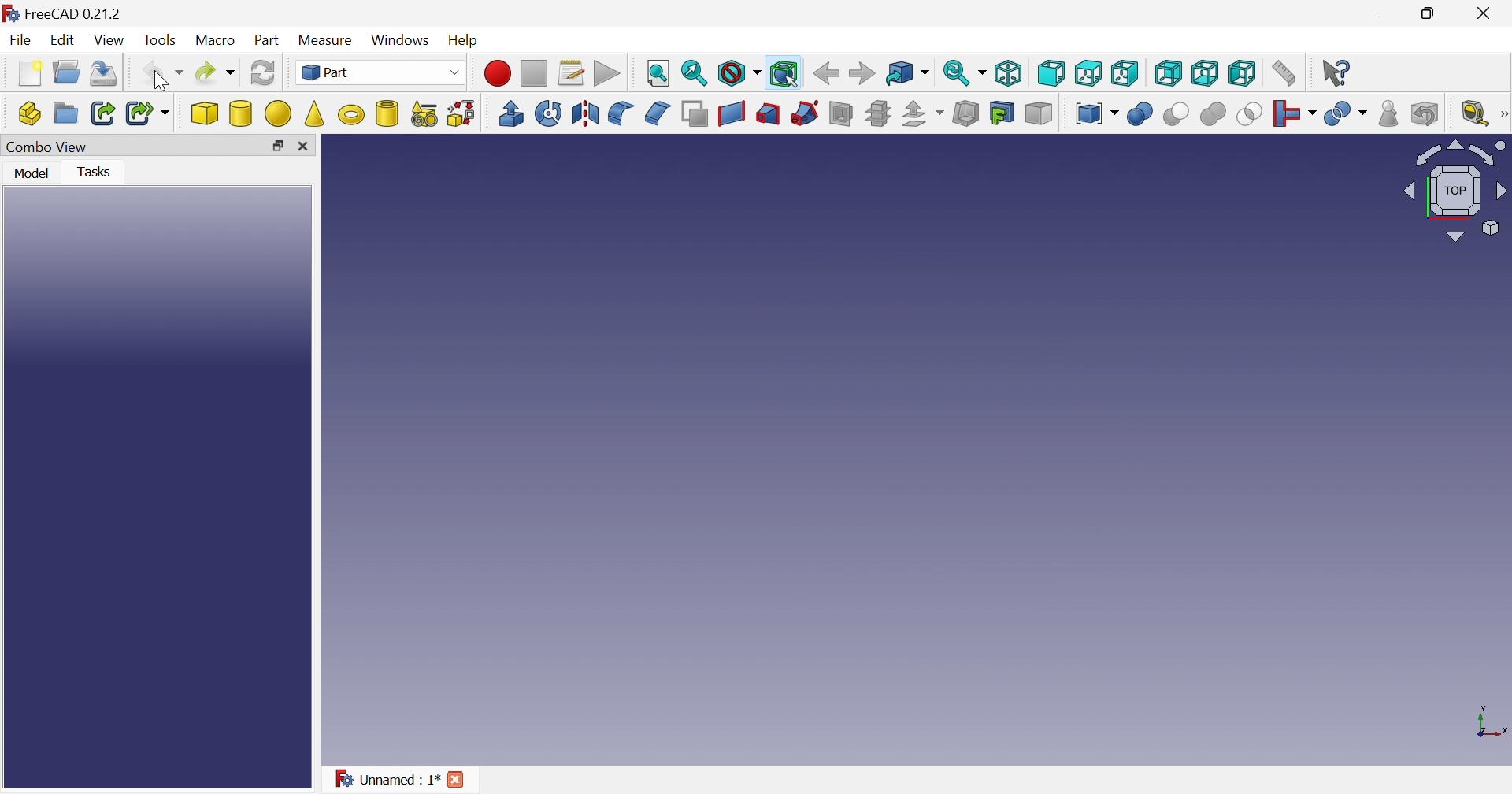  Describe the element at coordinates (739, 73) in the screenshot. I see `Draw style` at that location.